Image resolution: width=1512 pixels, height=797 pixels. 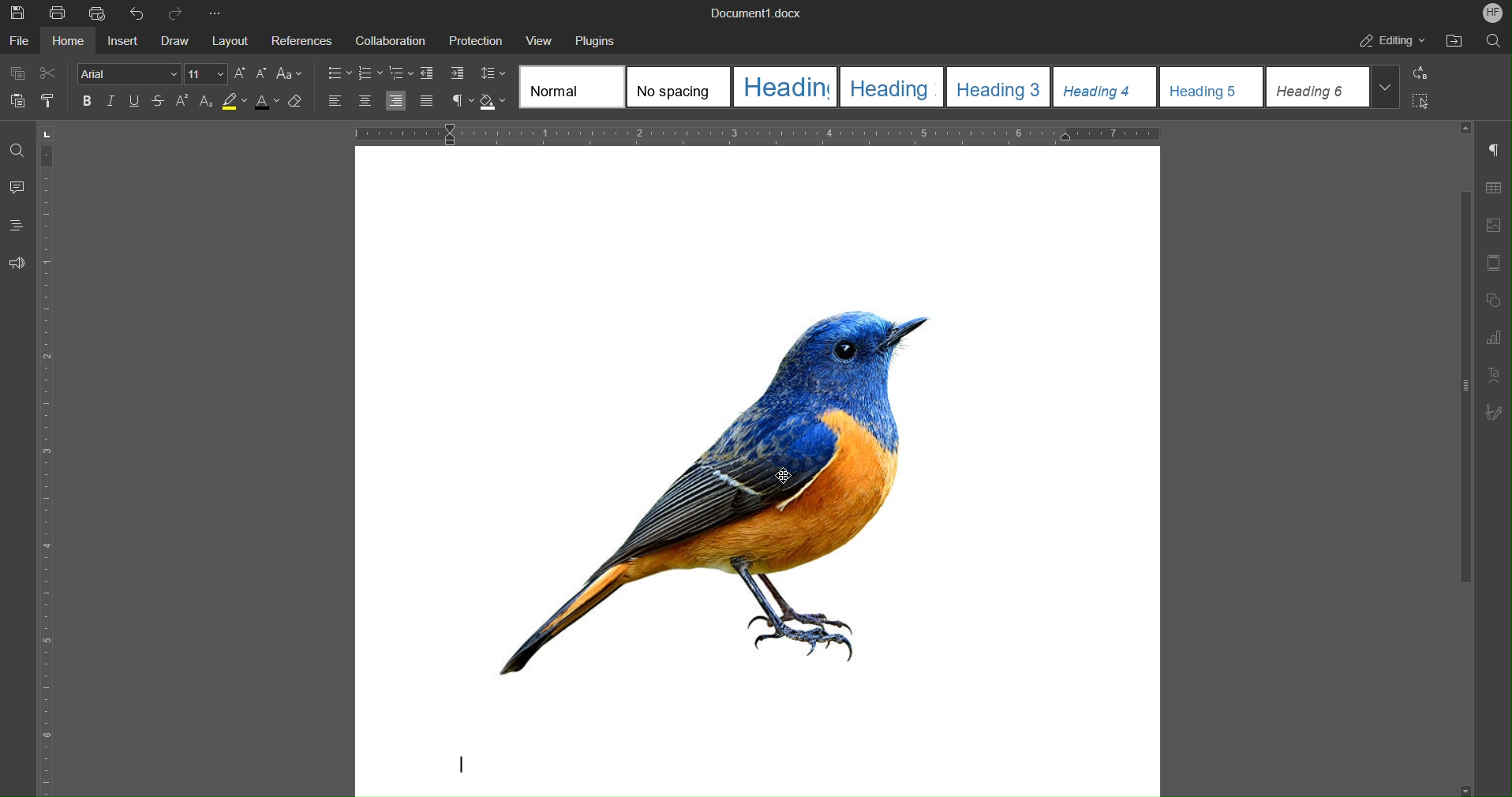 I want to click on Signature, so click(x=1493, y=412).